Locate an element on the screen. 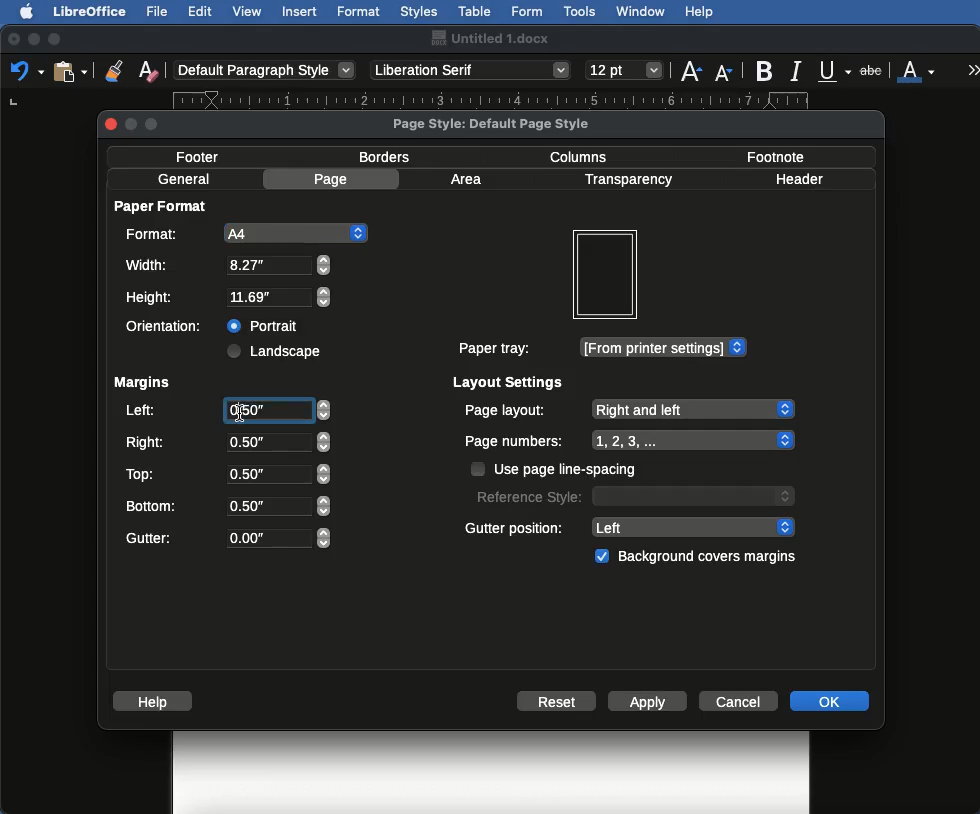  Format is located at coordinates (360, 12).